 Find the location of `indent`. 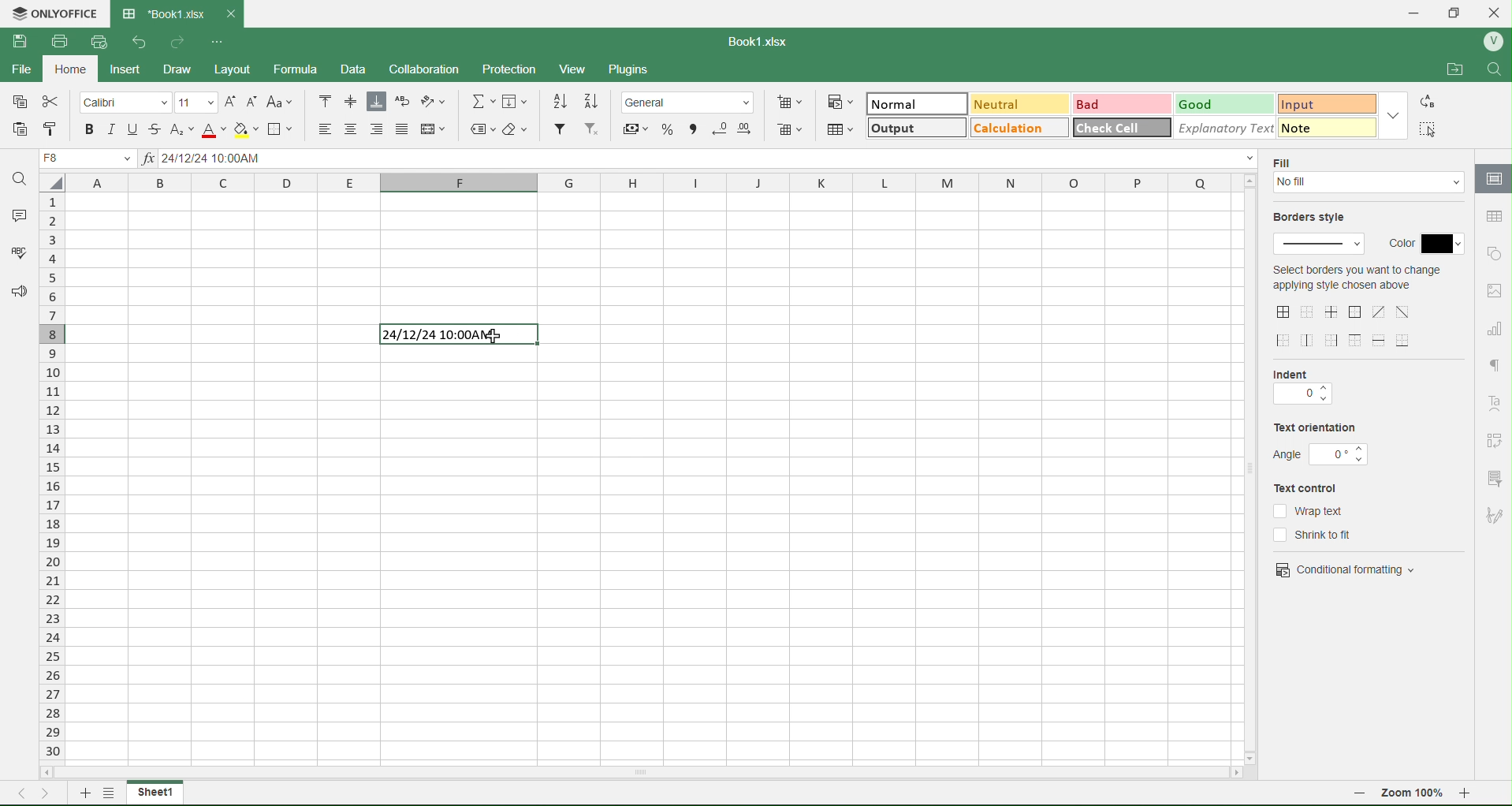

indent is located at coordinates (1302, 396).